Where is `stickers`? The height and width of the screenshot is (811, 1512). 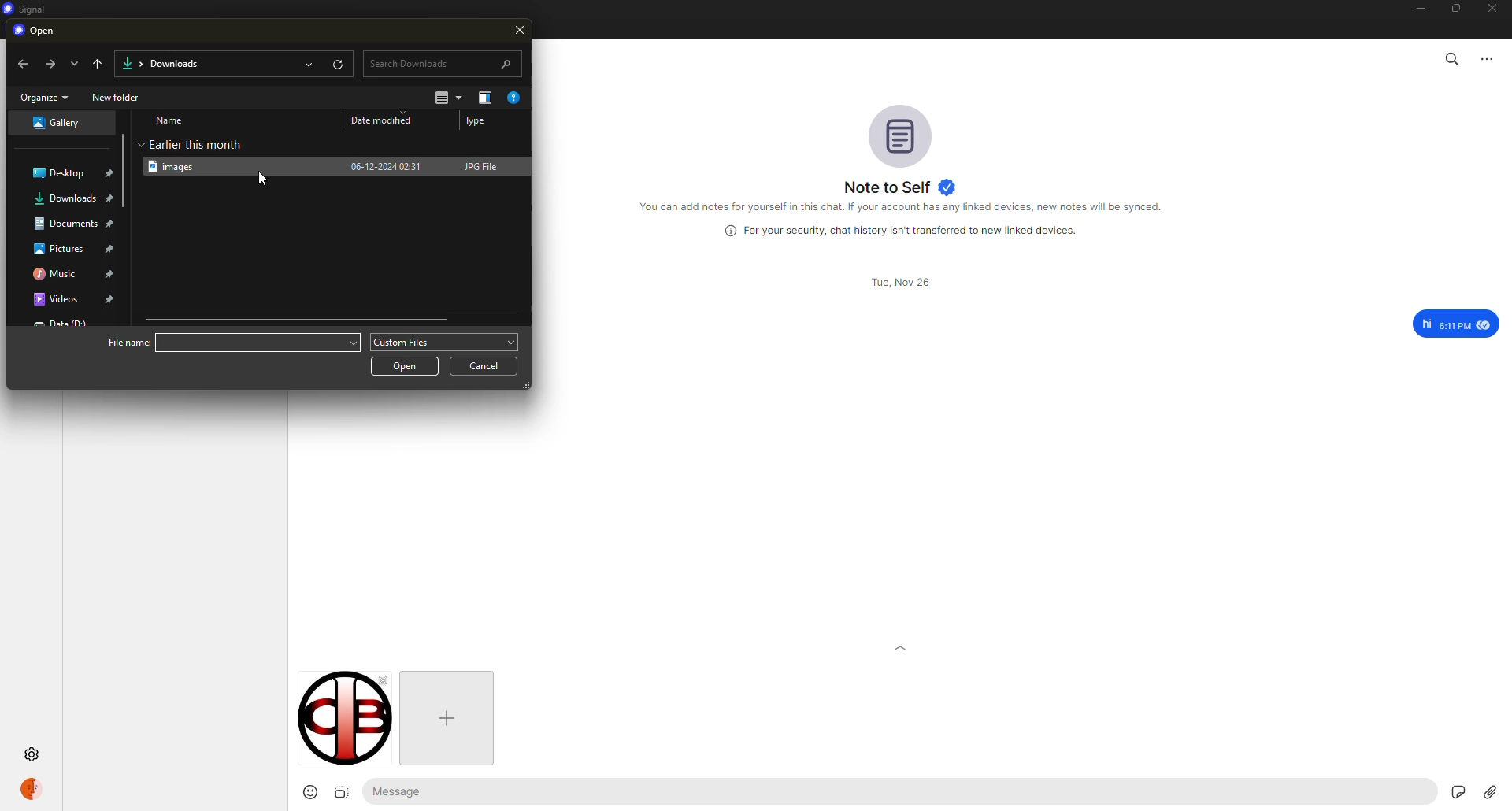
stickers is located at coordinates (1457, 791).